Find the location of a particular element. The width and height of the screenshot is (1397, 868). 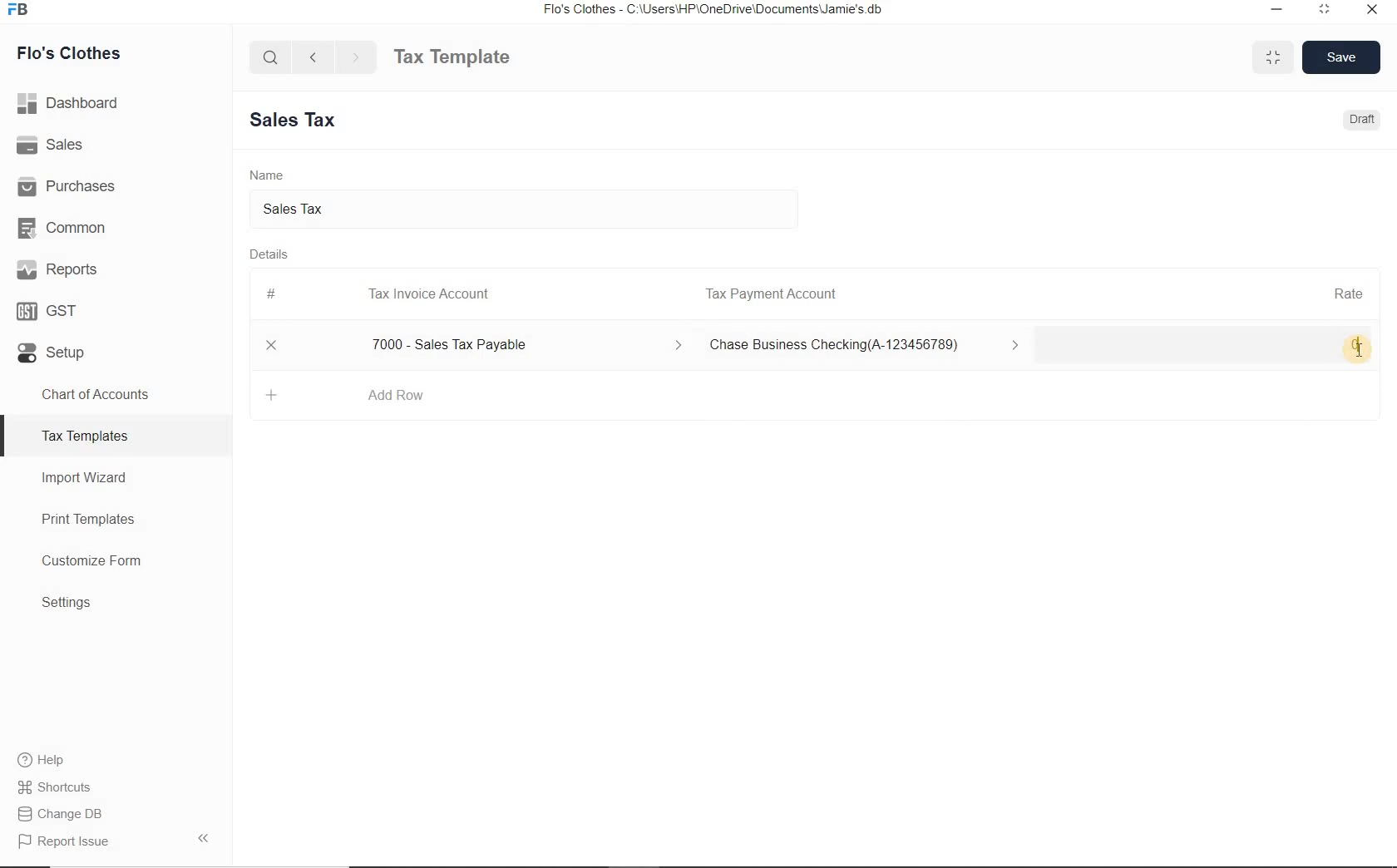

Chase Business Checking(A-123456789) is located at coordinates (868, 346).